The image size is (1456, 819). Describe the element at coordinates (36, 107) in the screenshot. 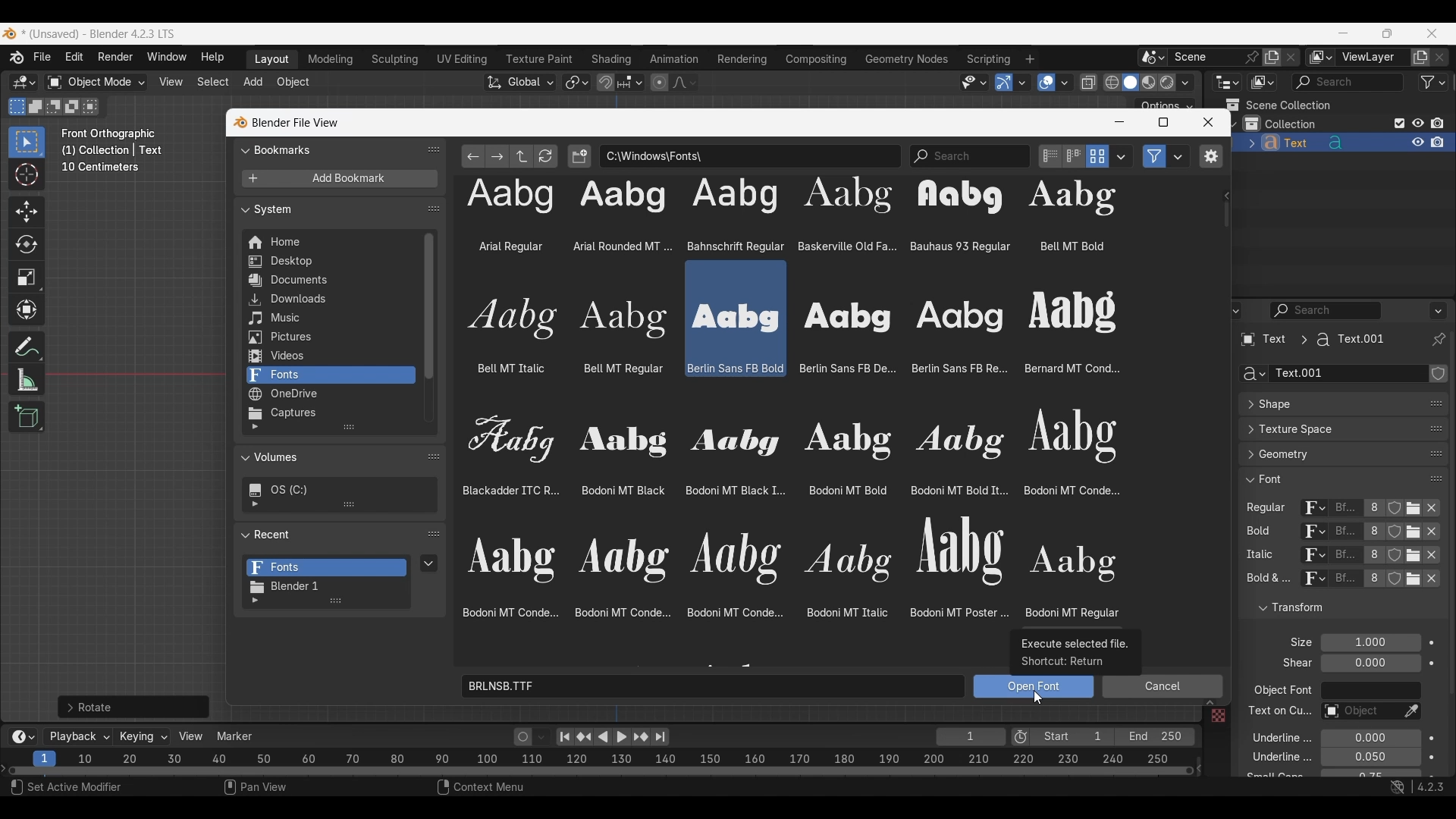

I see `Extend existing selection` at that location.